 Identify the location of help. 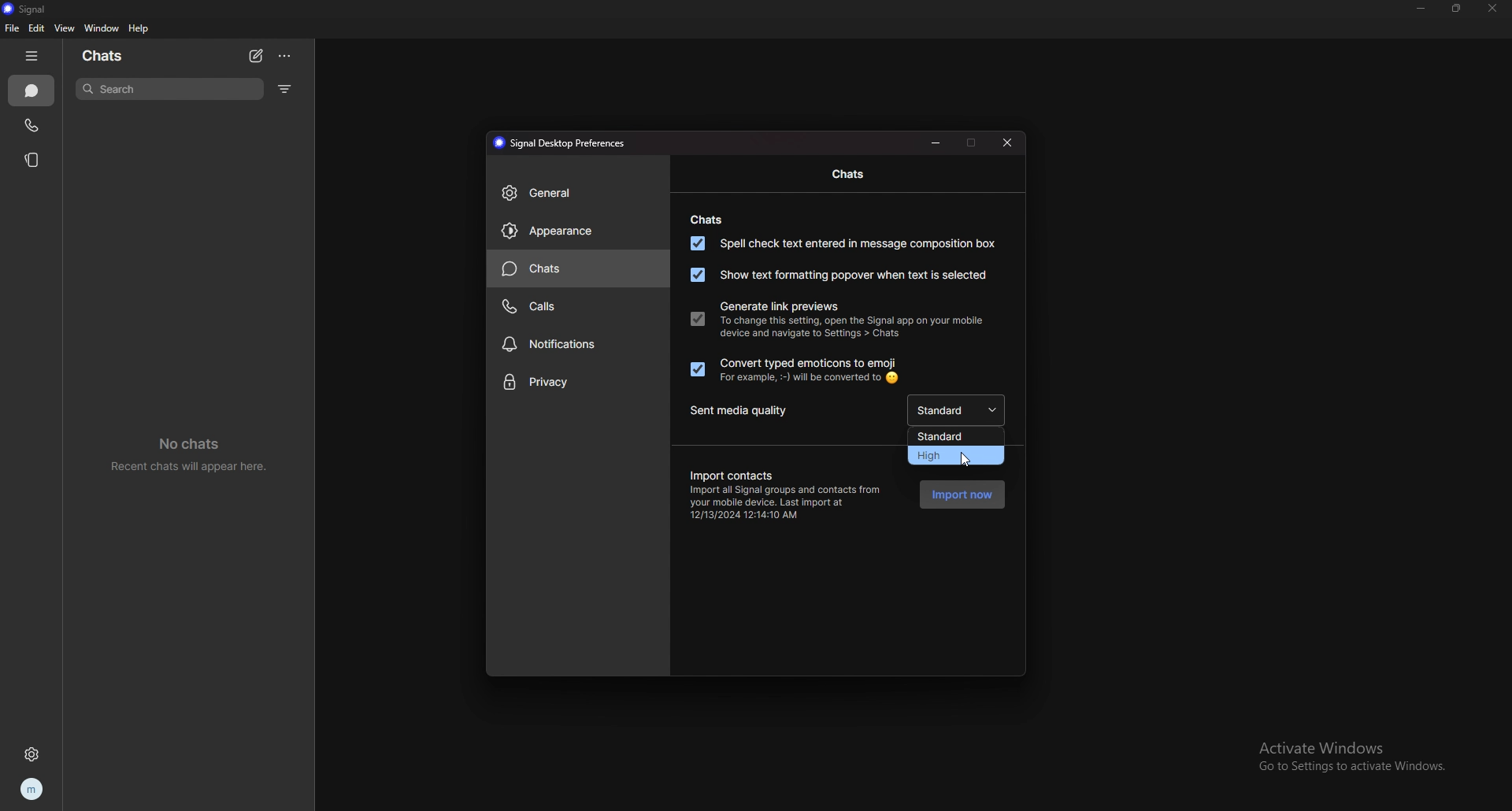
(139, 28).